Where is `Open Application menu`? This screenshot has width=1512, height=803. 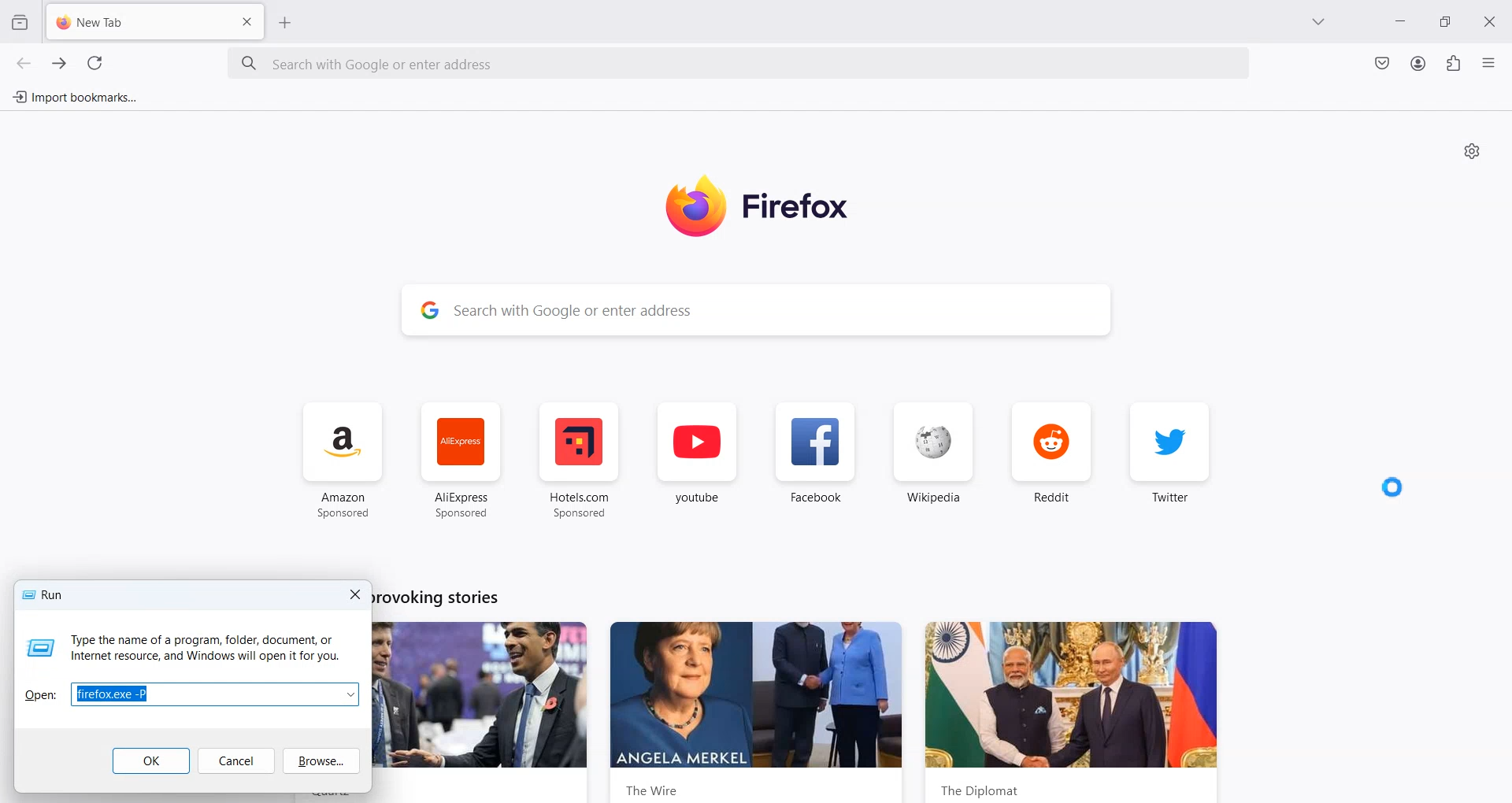
Open Application menu is located at coordinates (1490, 62).